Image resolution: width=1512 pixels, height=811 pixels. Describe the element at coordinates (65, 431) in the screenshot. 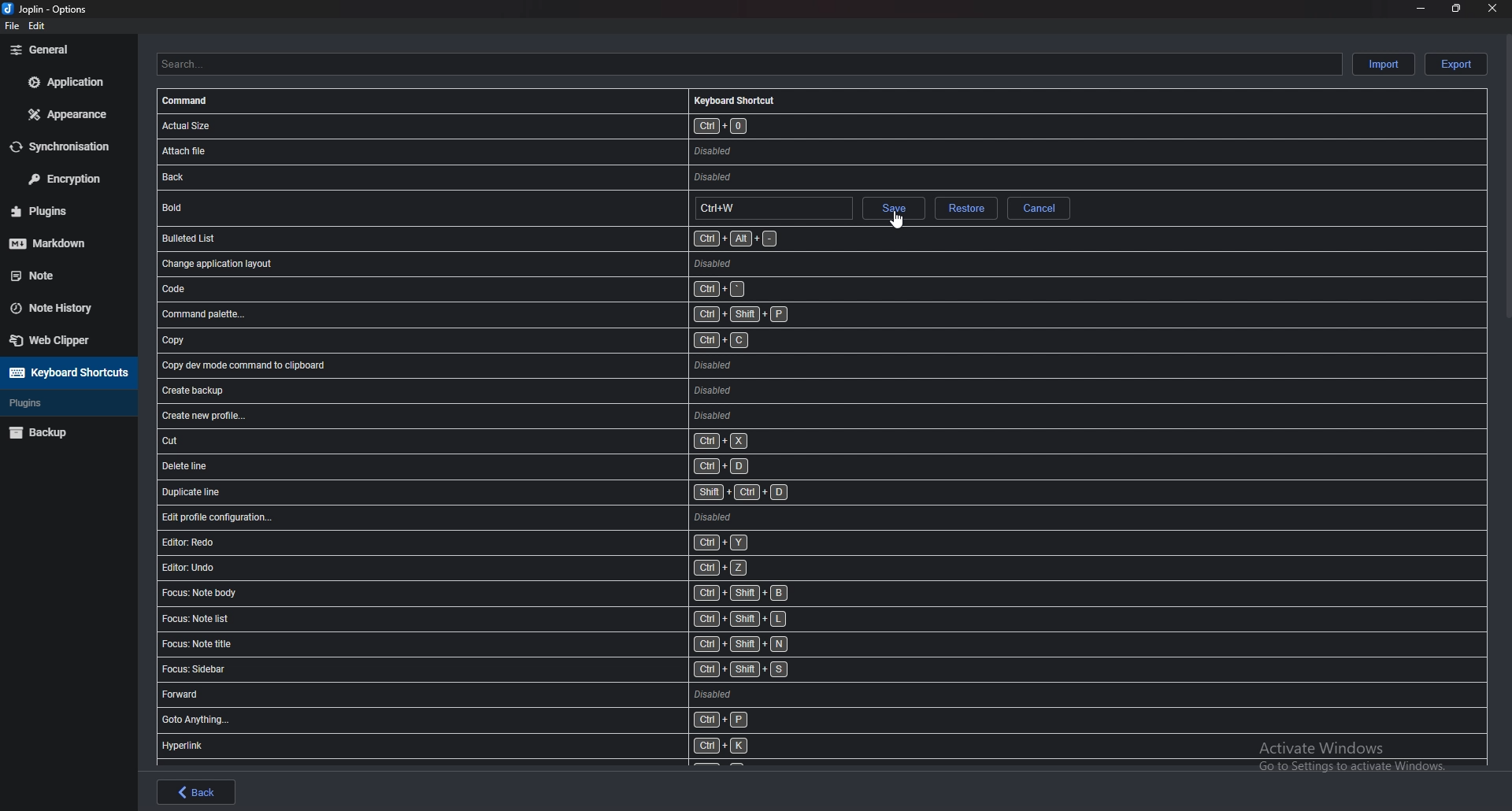

I see `Backup` at that location.